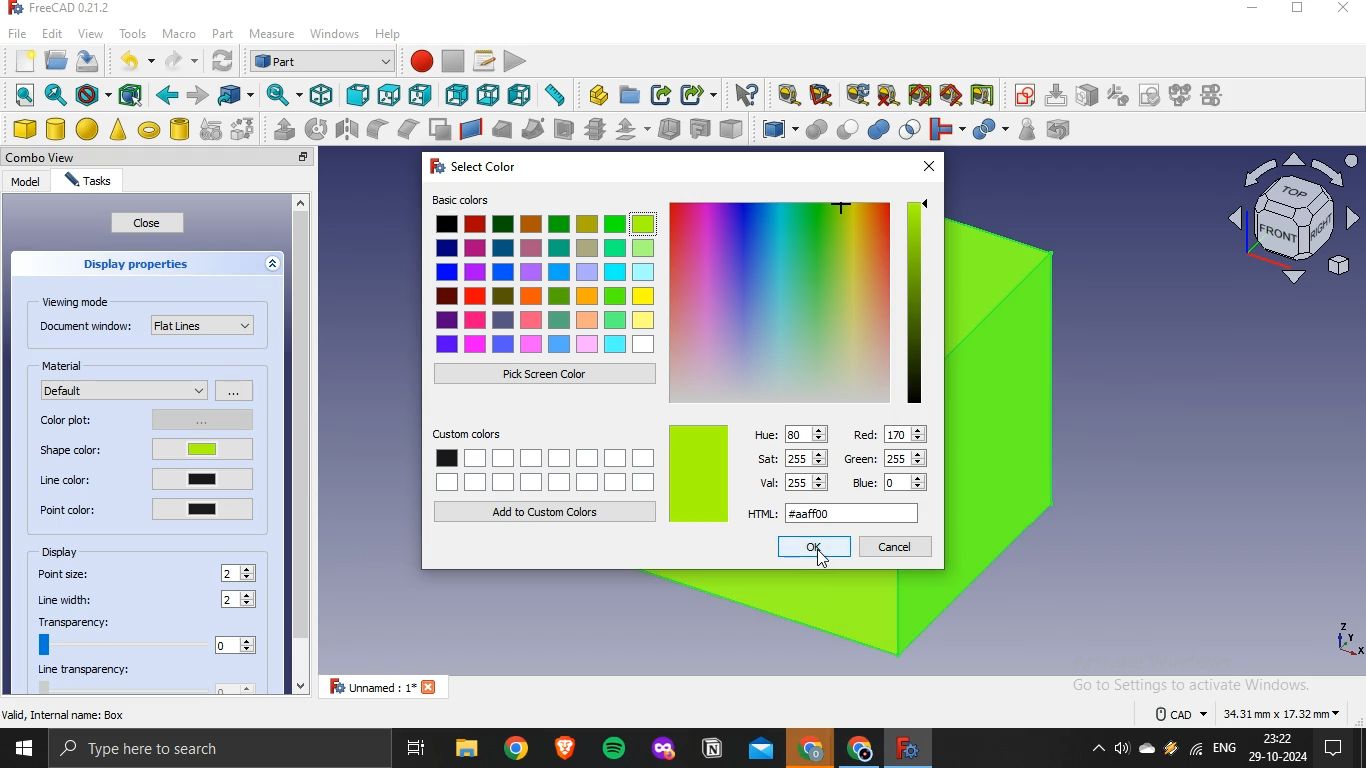 The height and width of the screenshot is (768, 1366). Describe the element at coordinates (598, 95) in the screenshot. I see `create part` at that location.